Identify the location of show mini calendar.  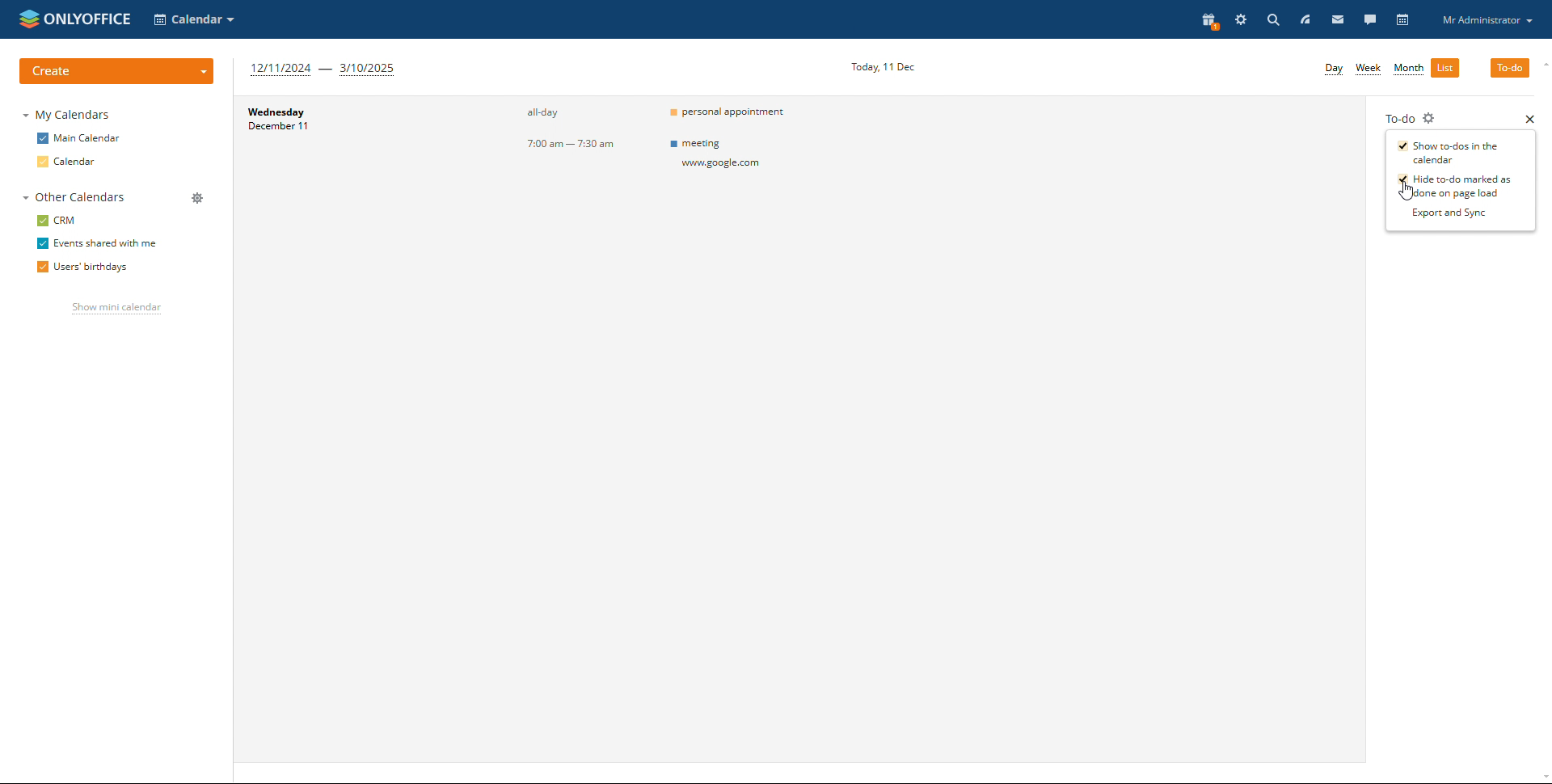
(115, 309).